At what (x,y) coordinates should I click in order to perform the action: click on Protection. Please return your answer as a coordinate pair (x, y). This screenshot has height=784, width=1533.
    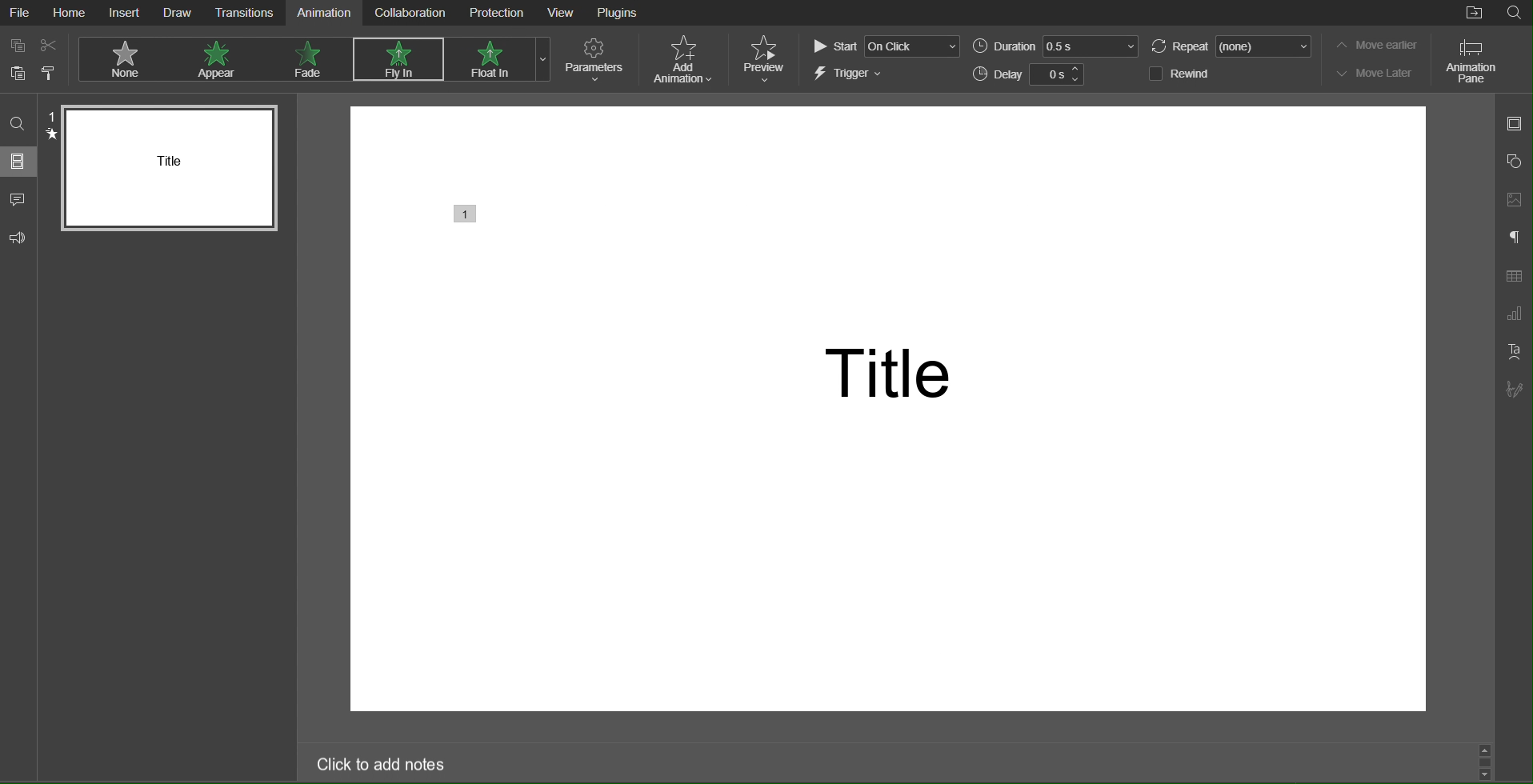
    Looking at the image, I should click on (495, 13).